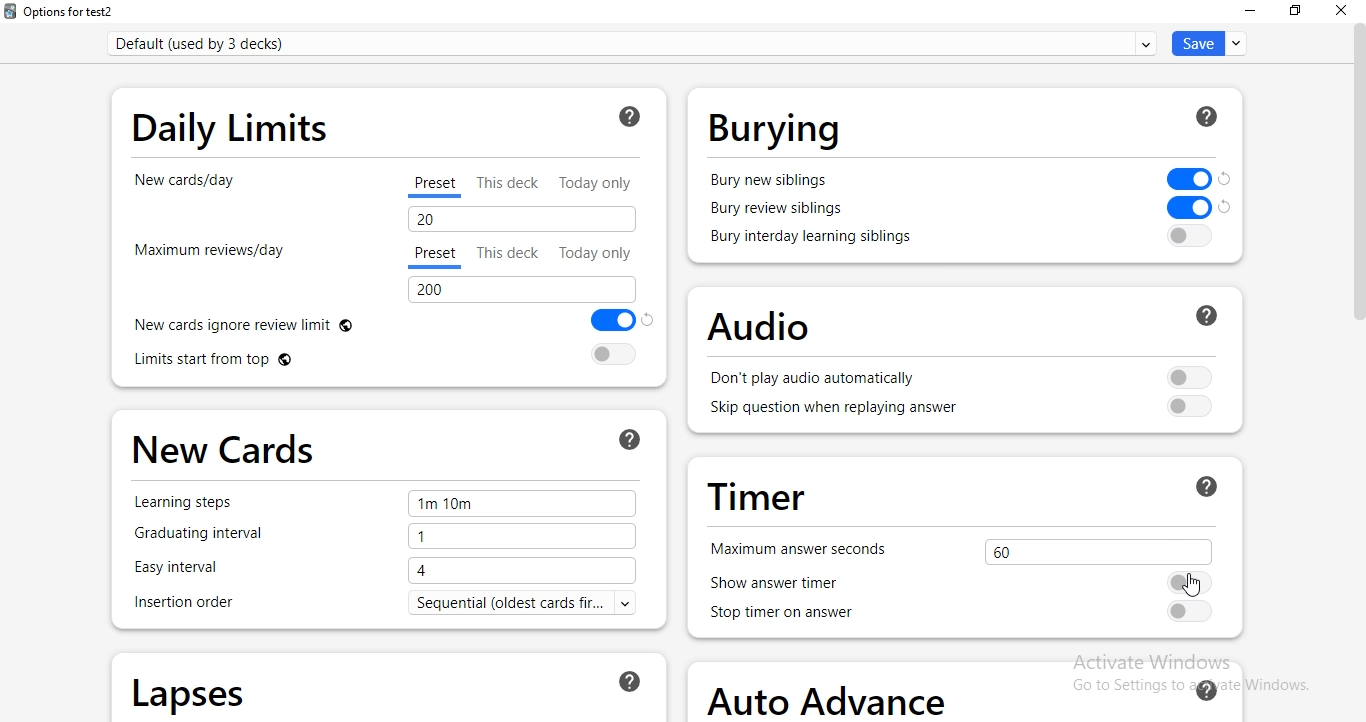 The image size is (1366, 722). I want to click on new cards ignore review limit, so click(386, 321).